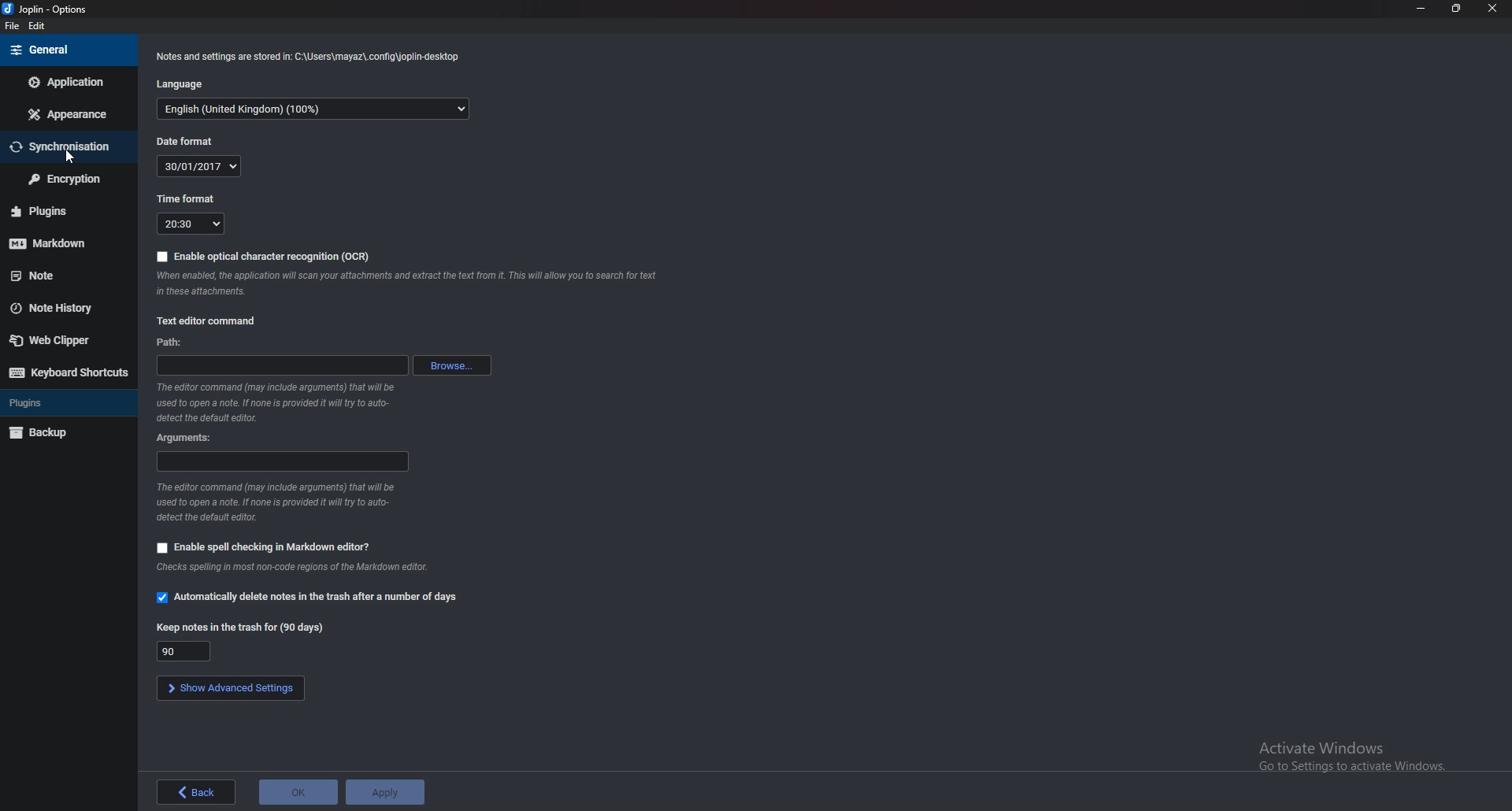  Describe the element at coordinates (69, 179) in the screenshot. I see `encryption` at that location.